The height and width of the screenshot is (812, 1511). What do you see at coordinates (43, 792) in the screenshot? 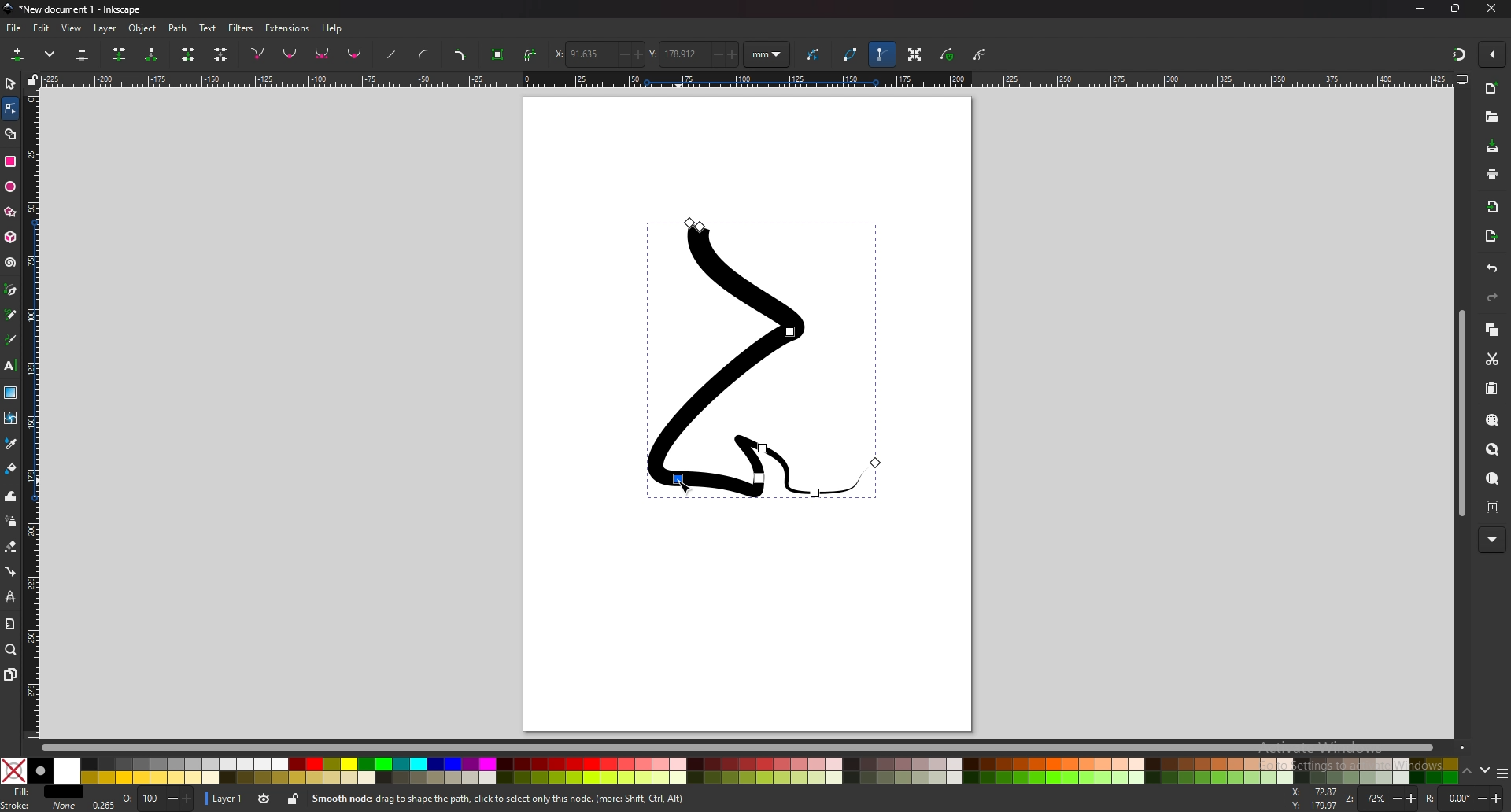
I see `fill` at bounding box center [43, 792].